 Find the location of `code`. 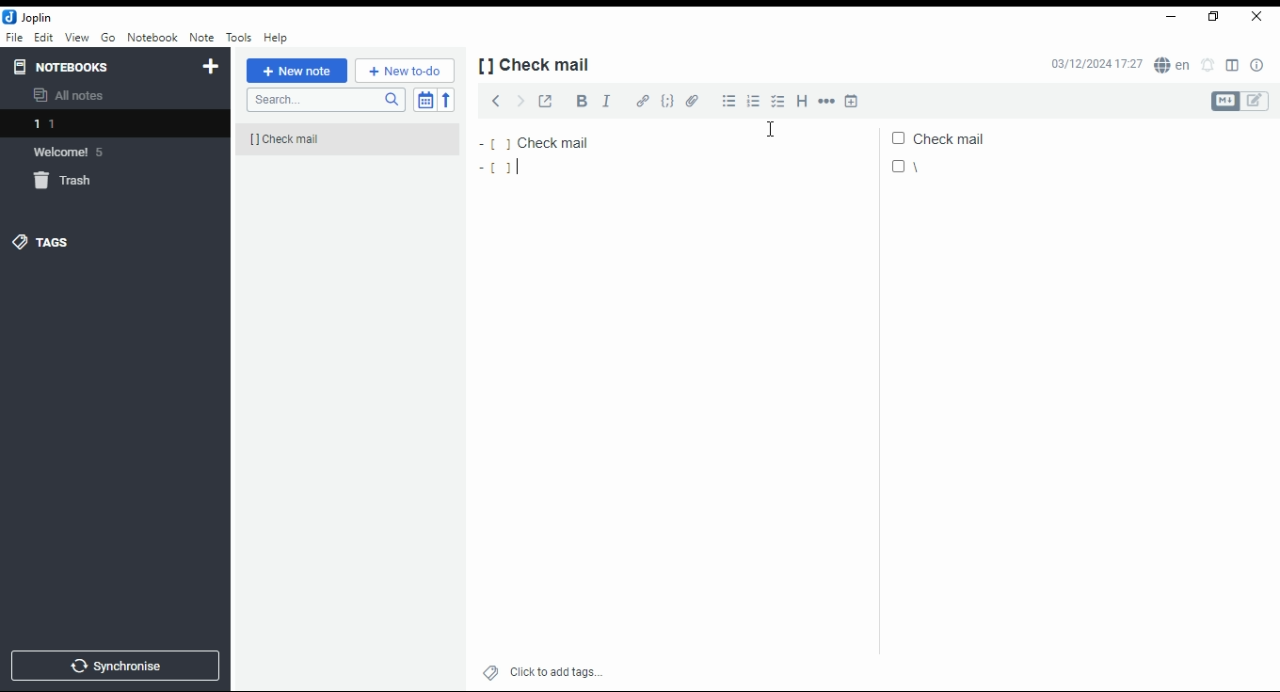

code is located at coordinates (668, 102).